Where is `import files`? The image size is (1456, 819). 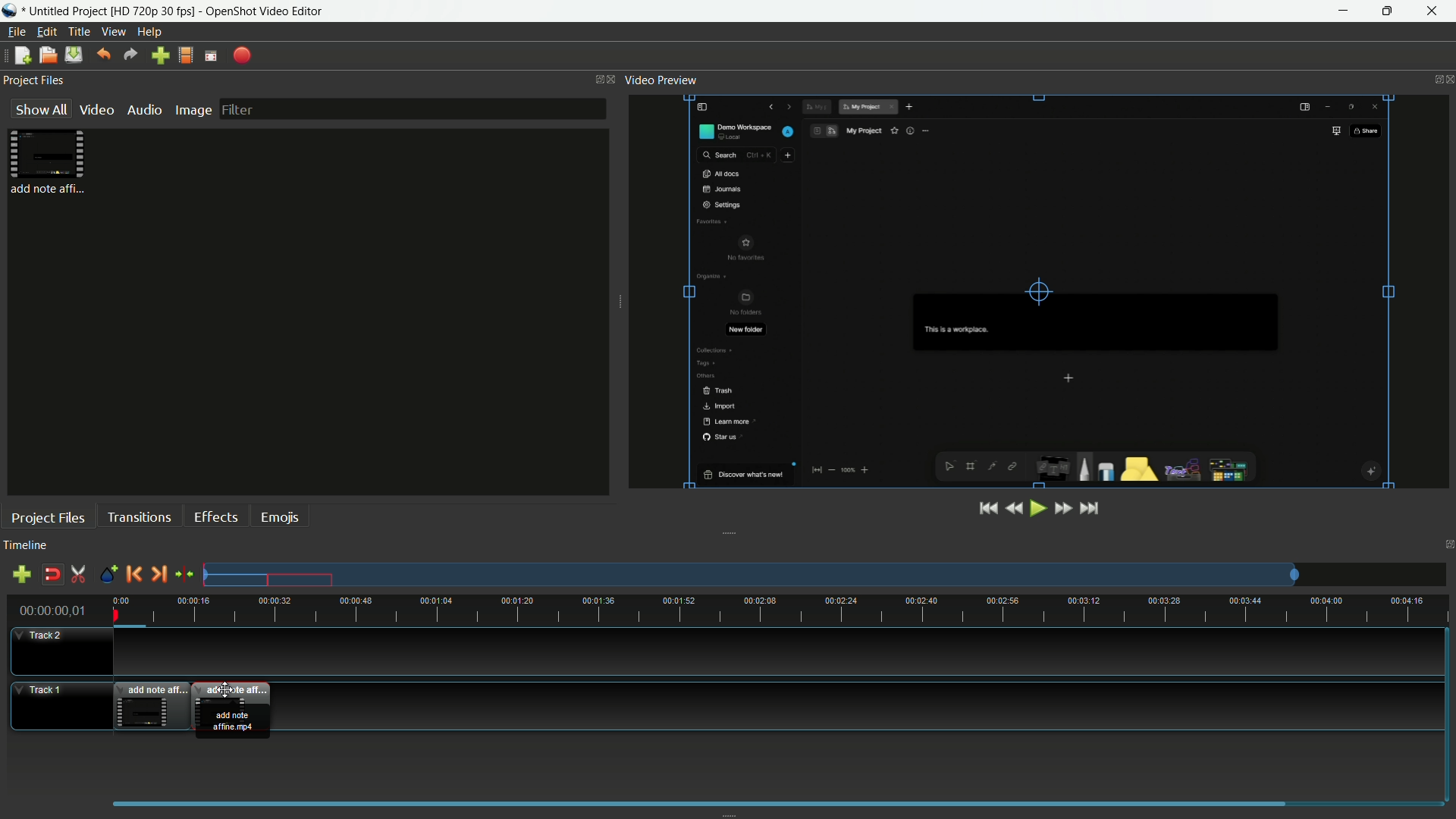 import files is located at coordinates (159, 56).